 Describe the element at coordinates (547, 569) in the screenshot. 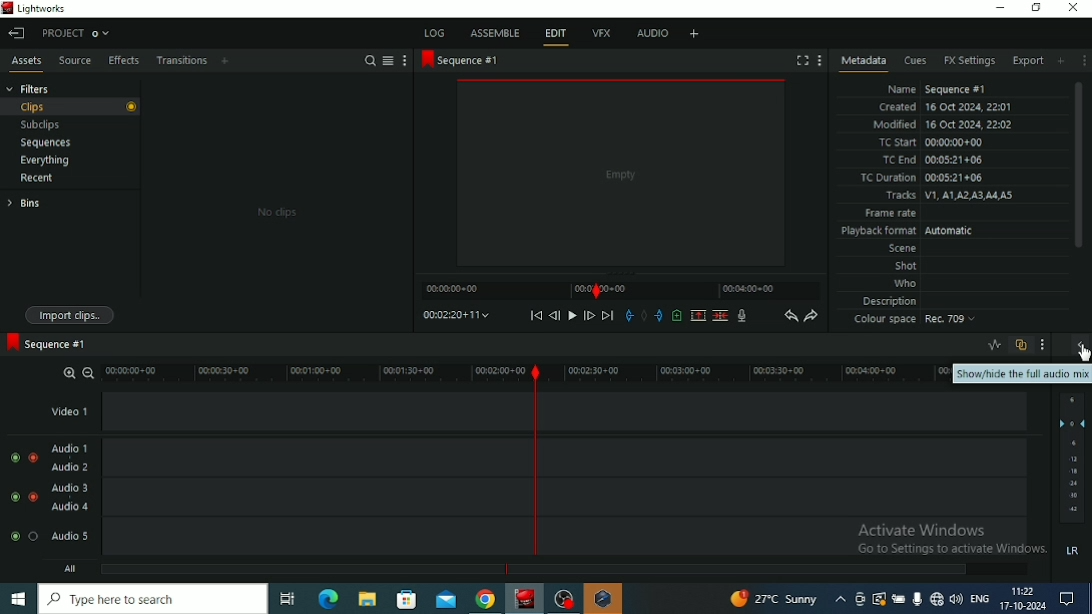

I see `All` at that location.